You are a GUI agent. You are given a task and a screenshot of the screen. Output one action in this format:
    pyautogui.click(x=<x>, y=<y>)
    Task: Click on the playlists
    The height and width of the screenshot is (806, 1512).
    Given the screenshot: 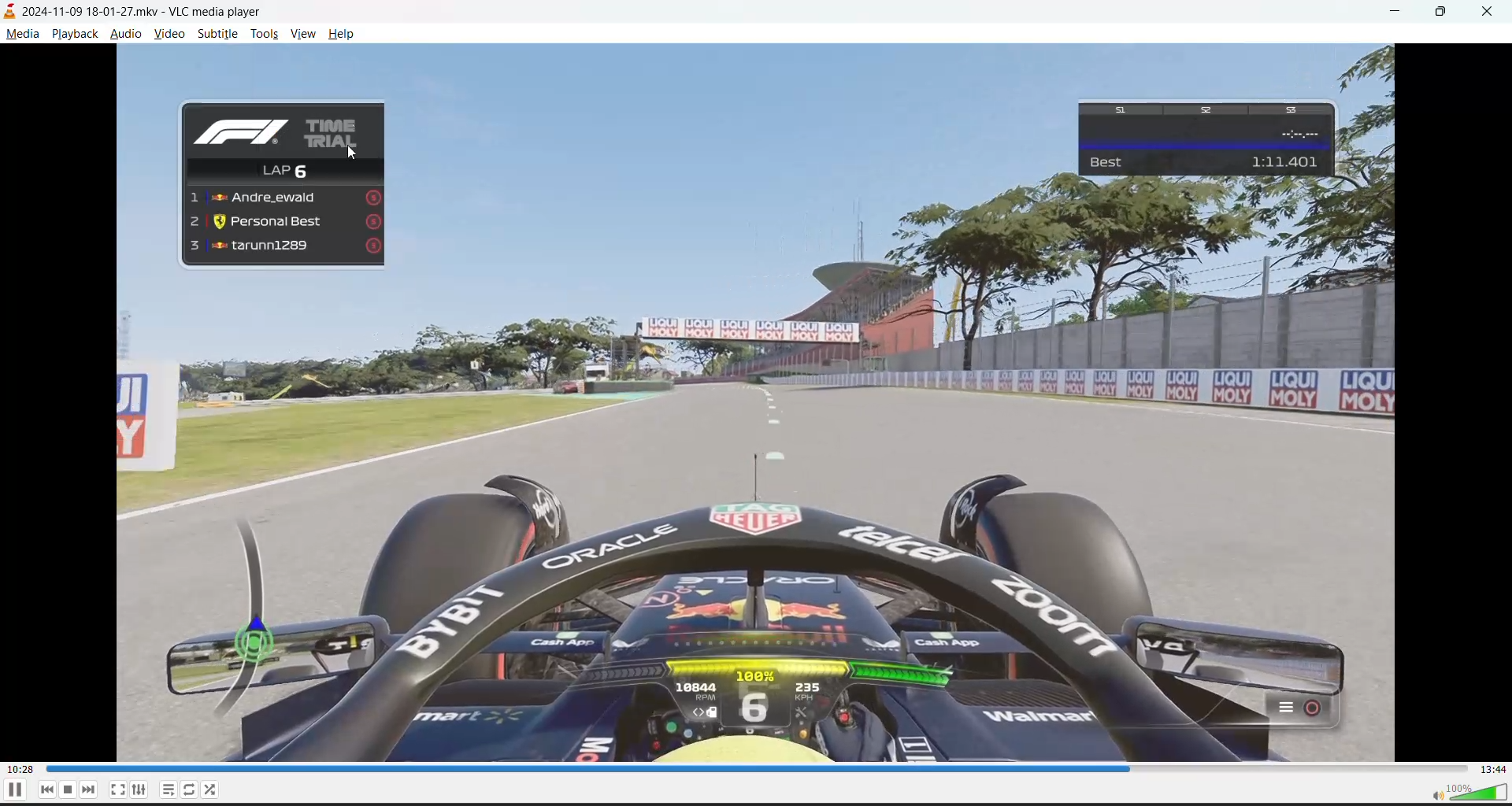 What is the action you would take?
    pyautogui.click(x=168, y=790)
    